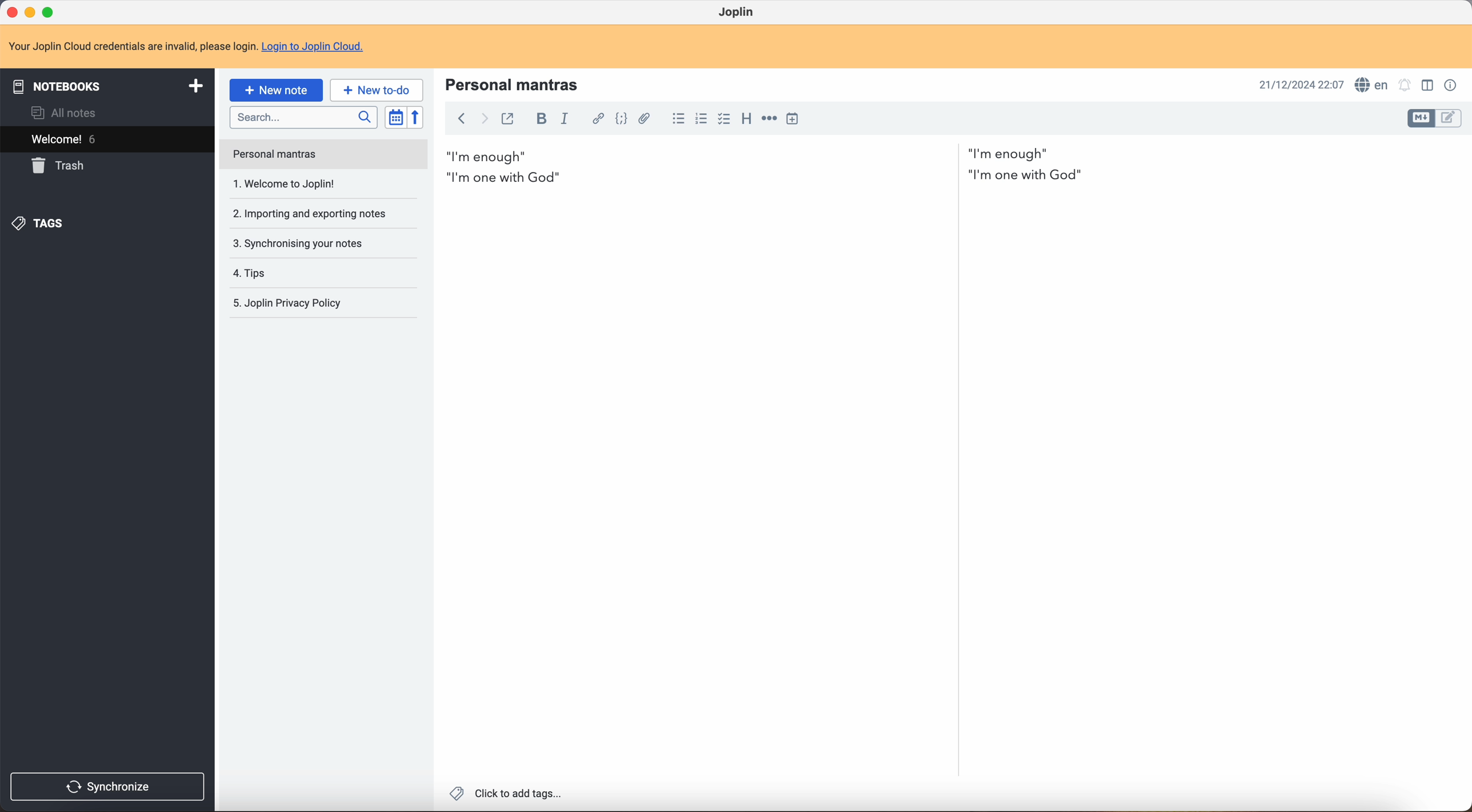 This screenshot has width=1472, height=812. I want to click on Joplin, so click(738, 11).